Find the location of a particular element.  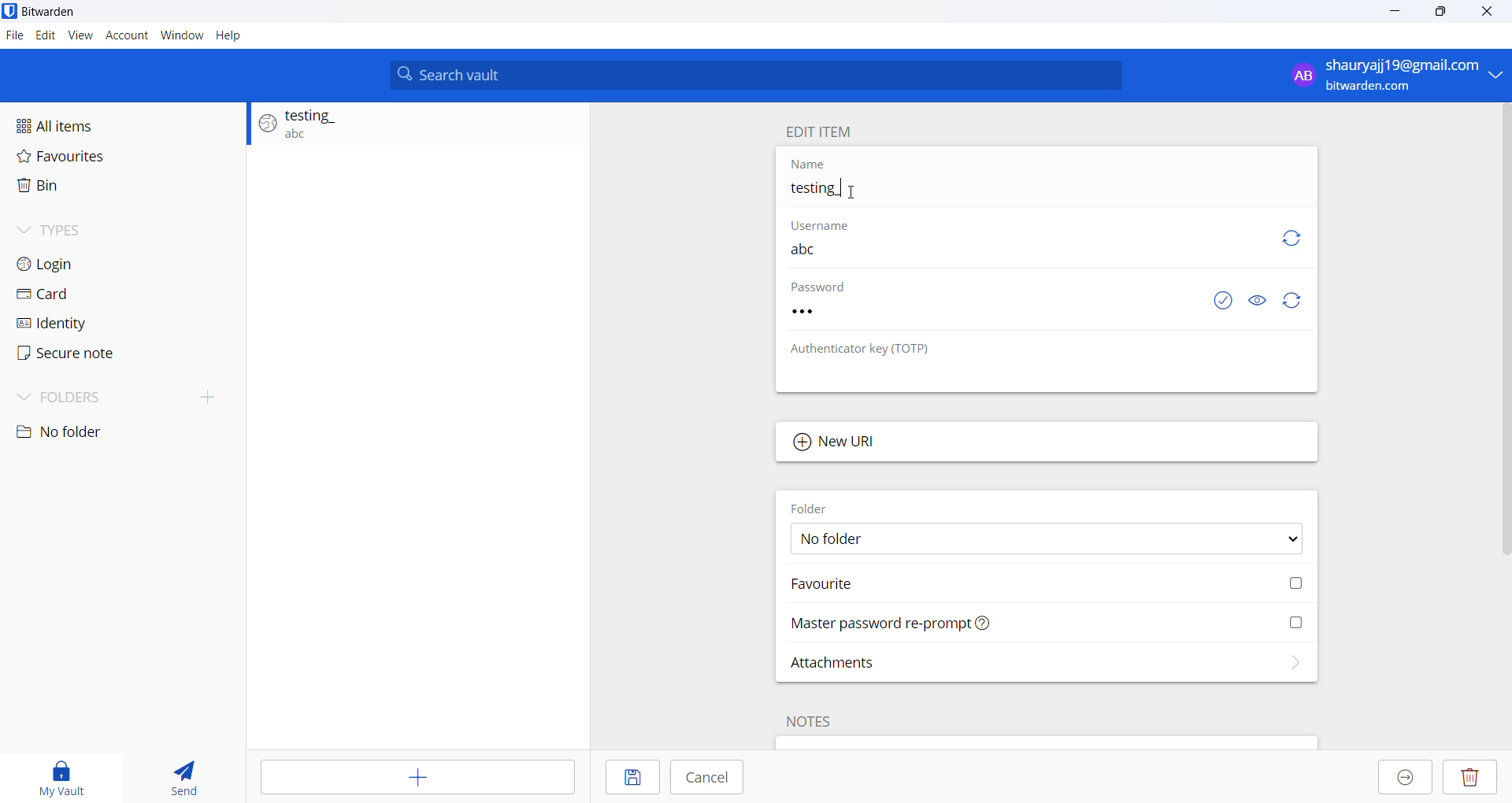

All items is located at coordinates (121, 121).